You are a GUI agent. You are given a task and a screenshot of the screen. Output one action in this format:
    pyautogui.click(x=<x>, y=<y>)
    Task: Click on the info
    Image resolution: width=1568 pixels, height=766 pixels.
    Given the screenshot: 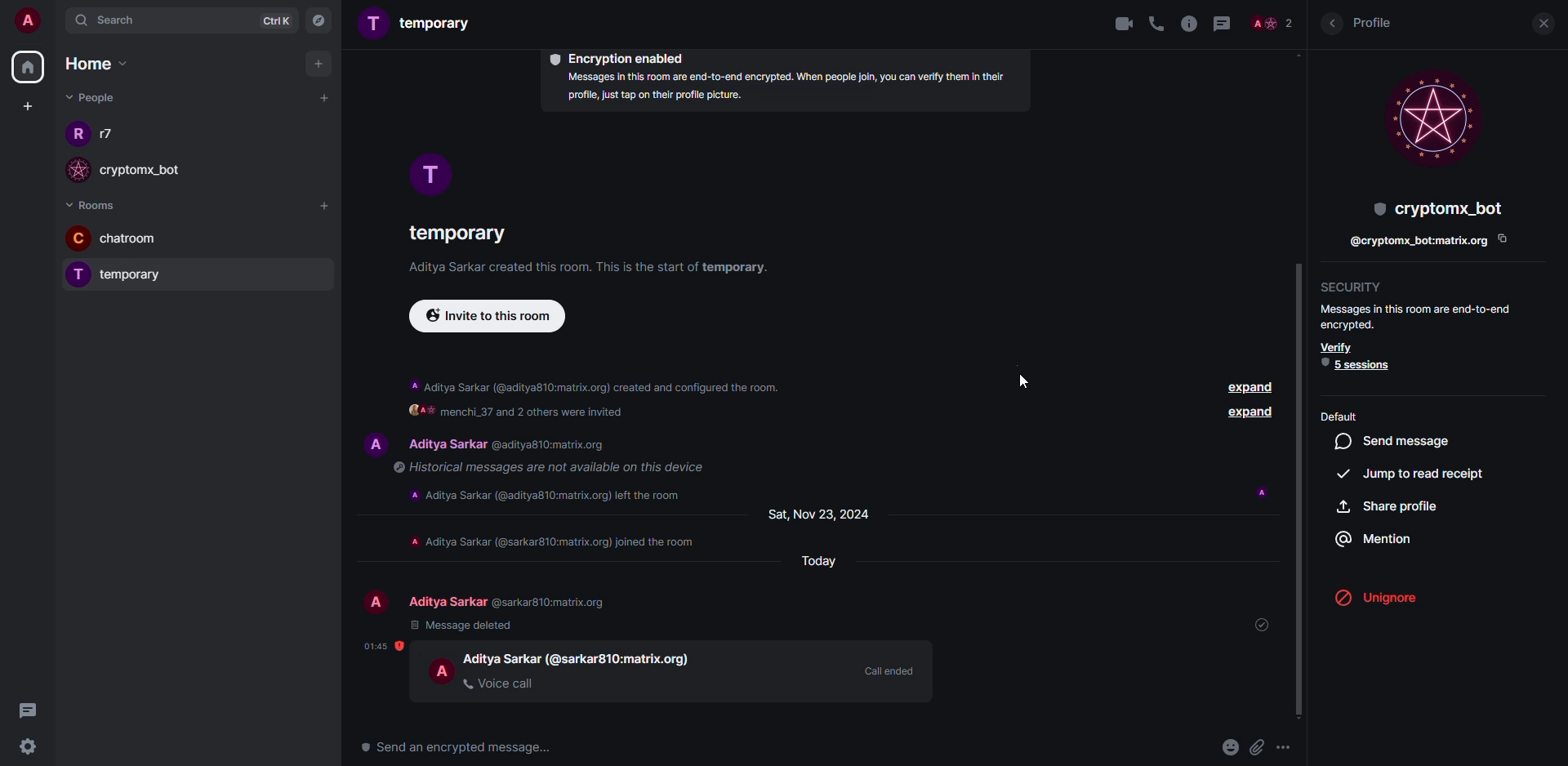 What is the action you would take?
    pyautogui.click(x=595, y=268)
    